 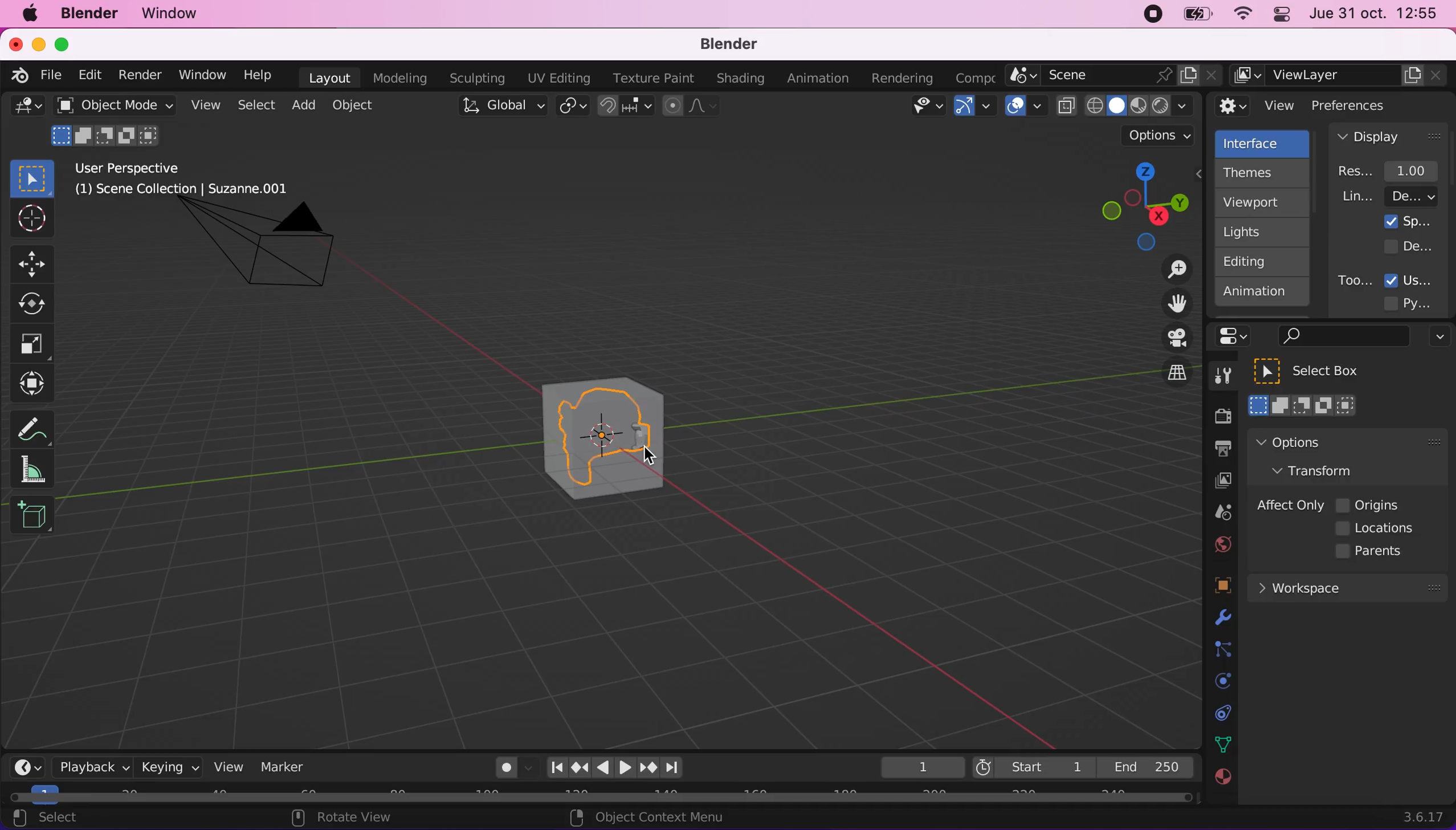 I want to click on origins, so click(x=1369, y=503).